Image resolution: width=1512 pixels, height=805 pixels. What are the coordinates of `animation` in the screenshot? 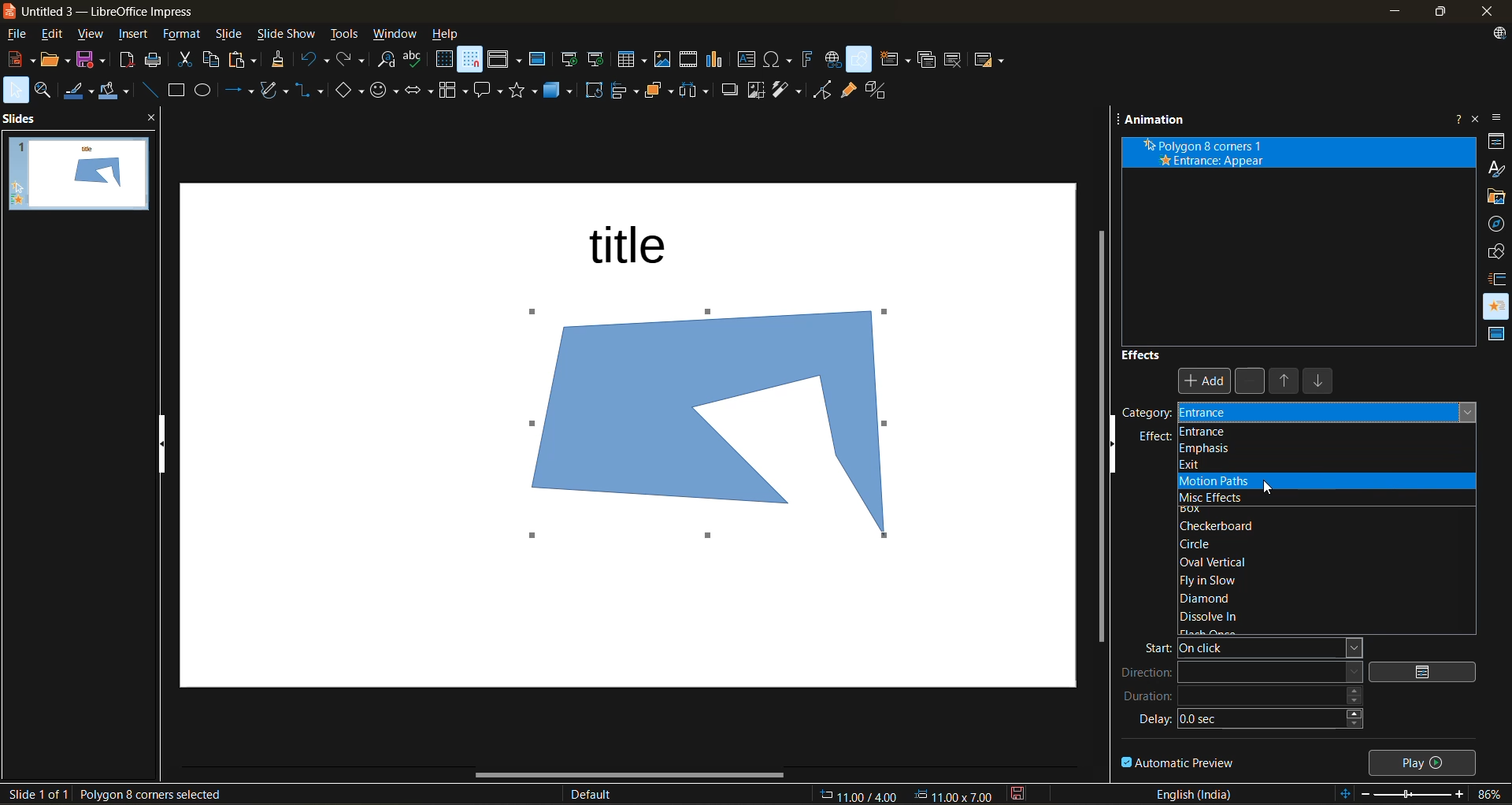 It's located at (1155, 121).